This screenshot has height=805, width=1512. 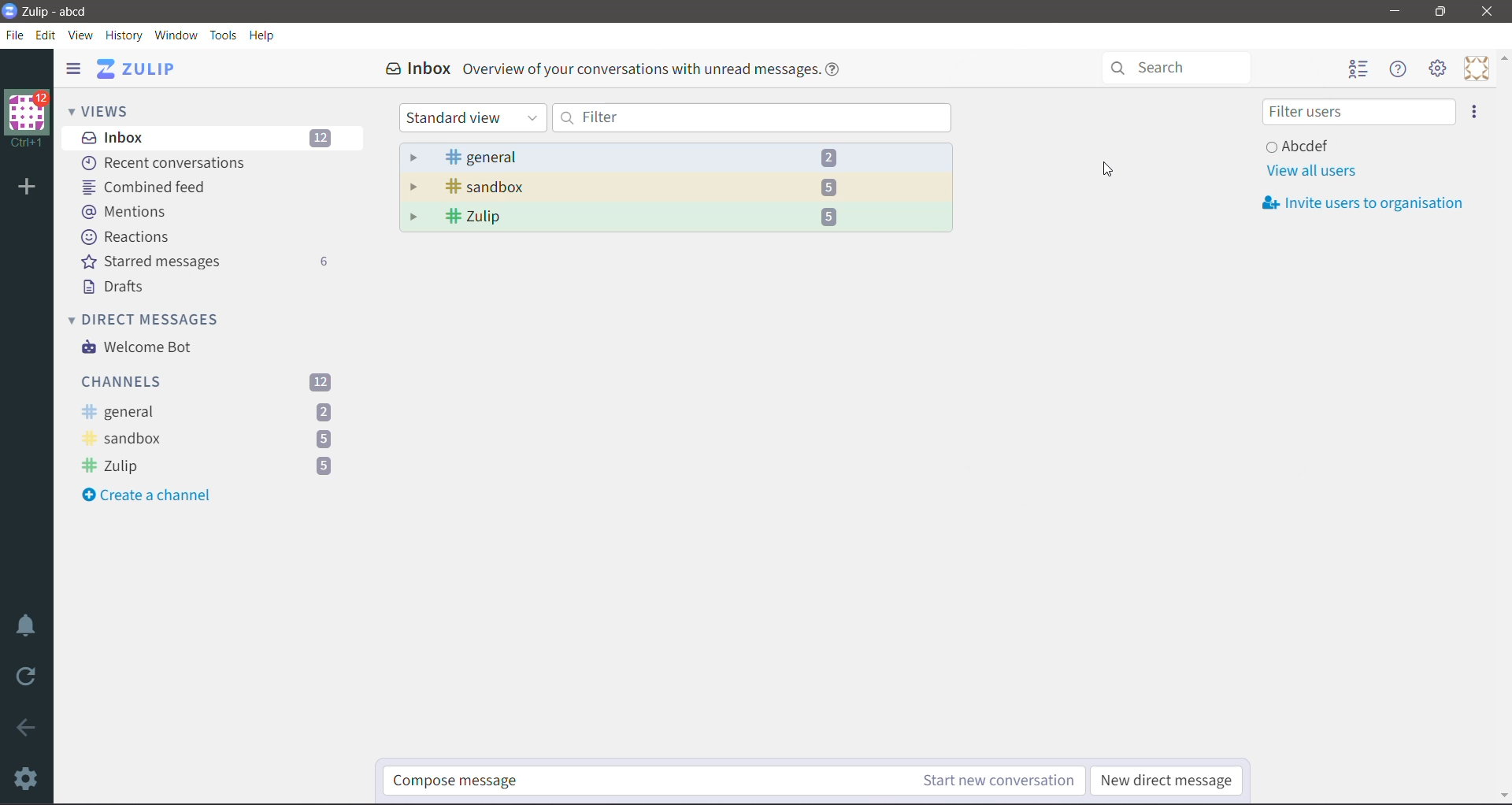 I want to click on Enable Do Not Disturb, so click(x=29, y=625).